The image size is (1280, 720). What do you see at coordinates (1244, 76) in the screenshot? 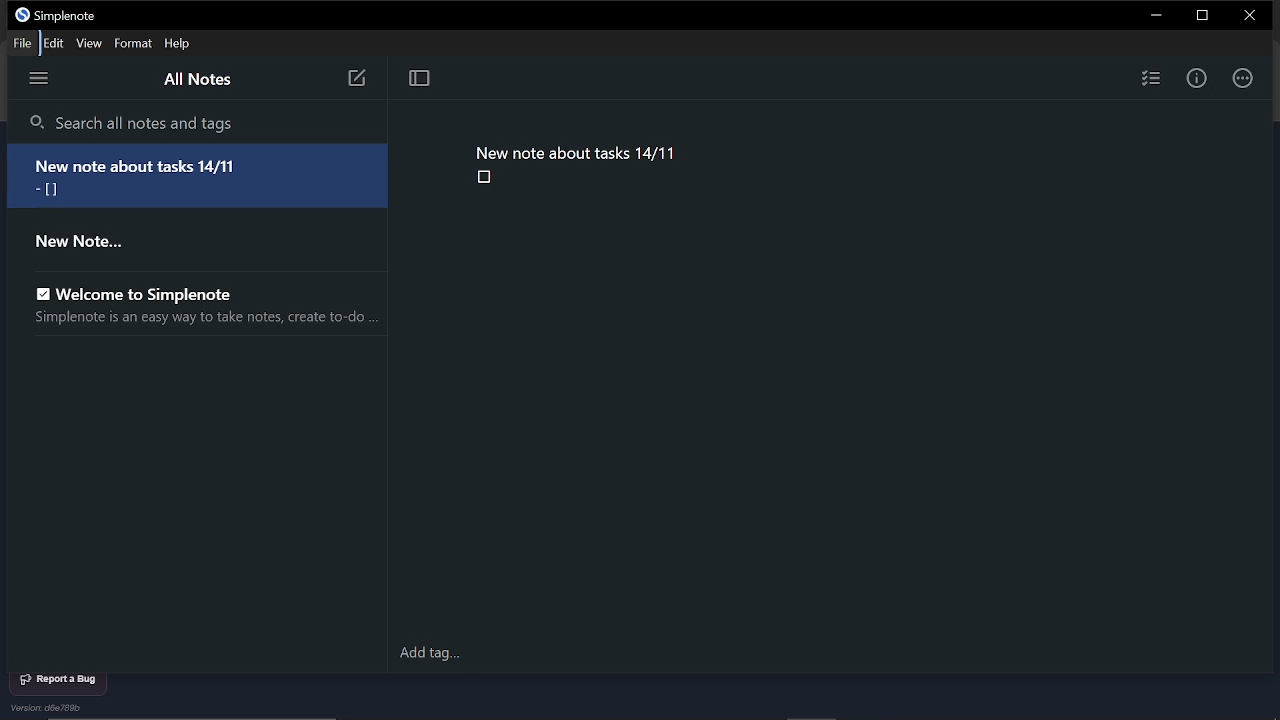
I see `Actions` at bounding box center [1244, 76].